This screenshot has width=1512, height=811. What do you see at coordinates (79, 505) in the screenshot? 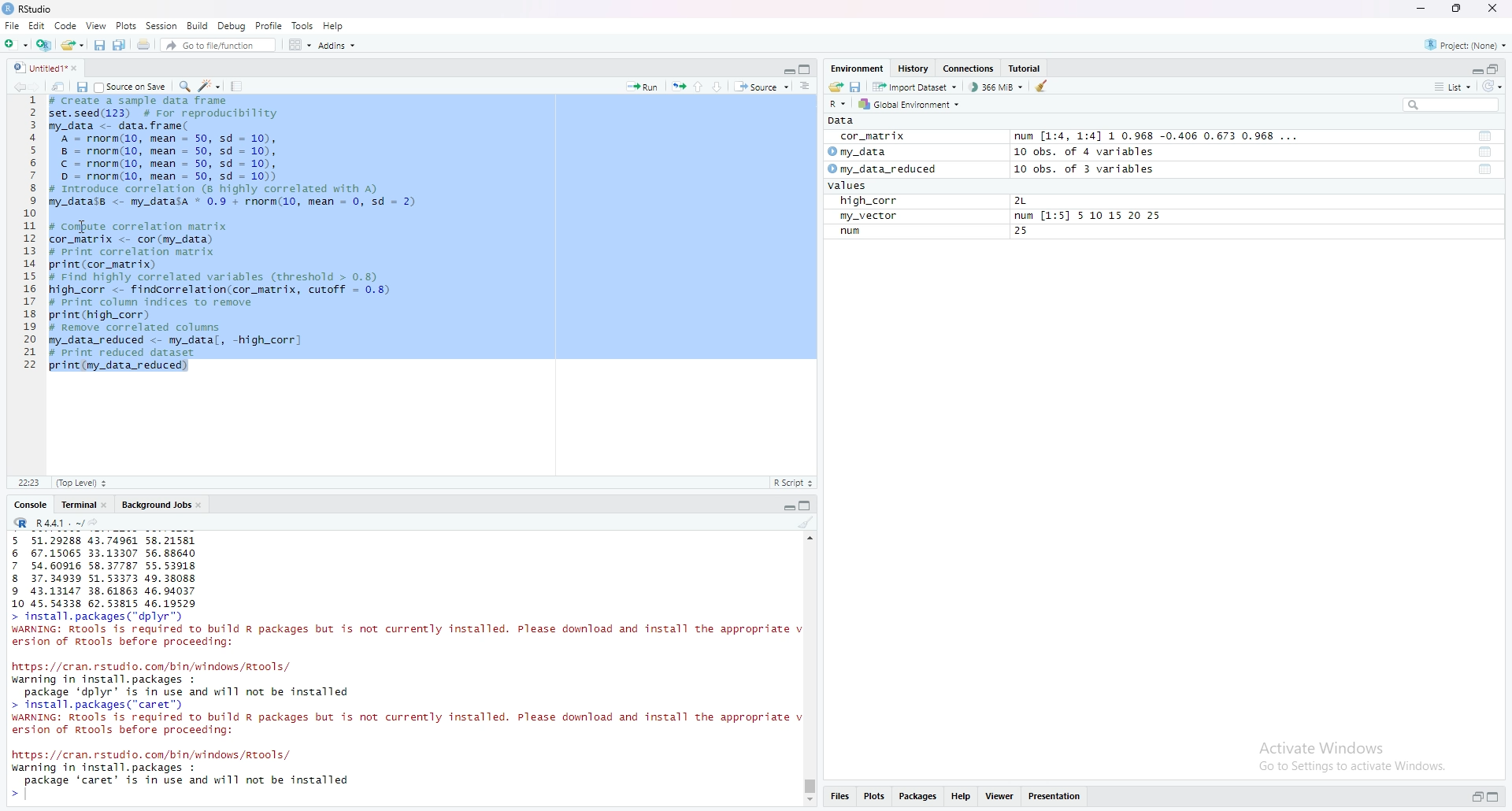
I see `Terminal` at bounding box center [79, 505].